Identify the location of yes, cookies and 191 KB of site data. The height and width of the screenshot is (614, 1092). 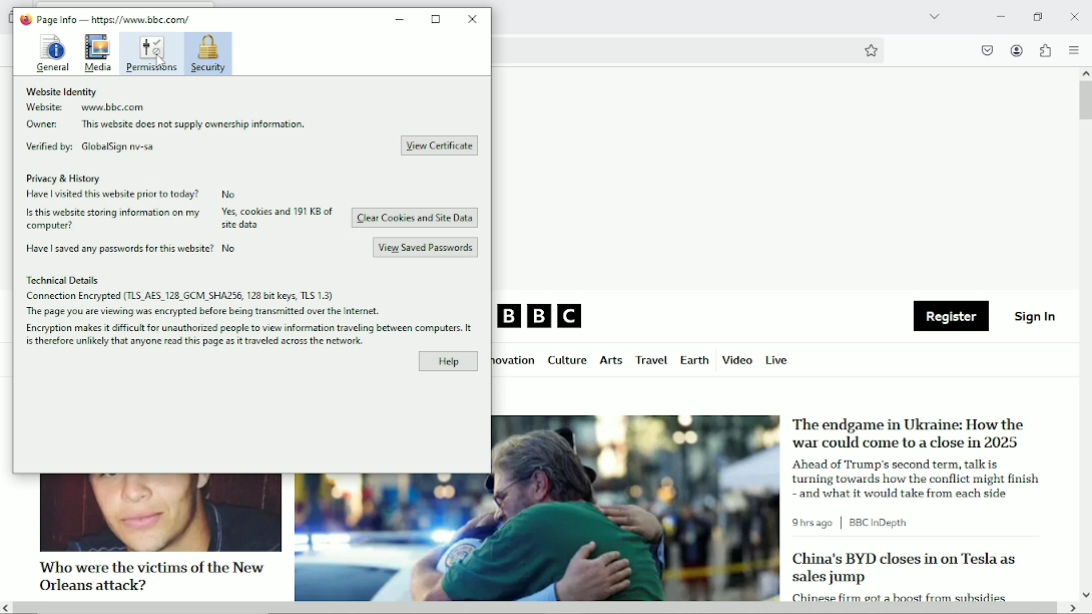
(281, 219).